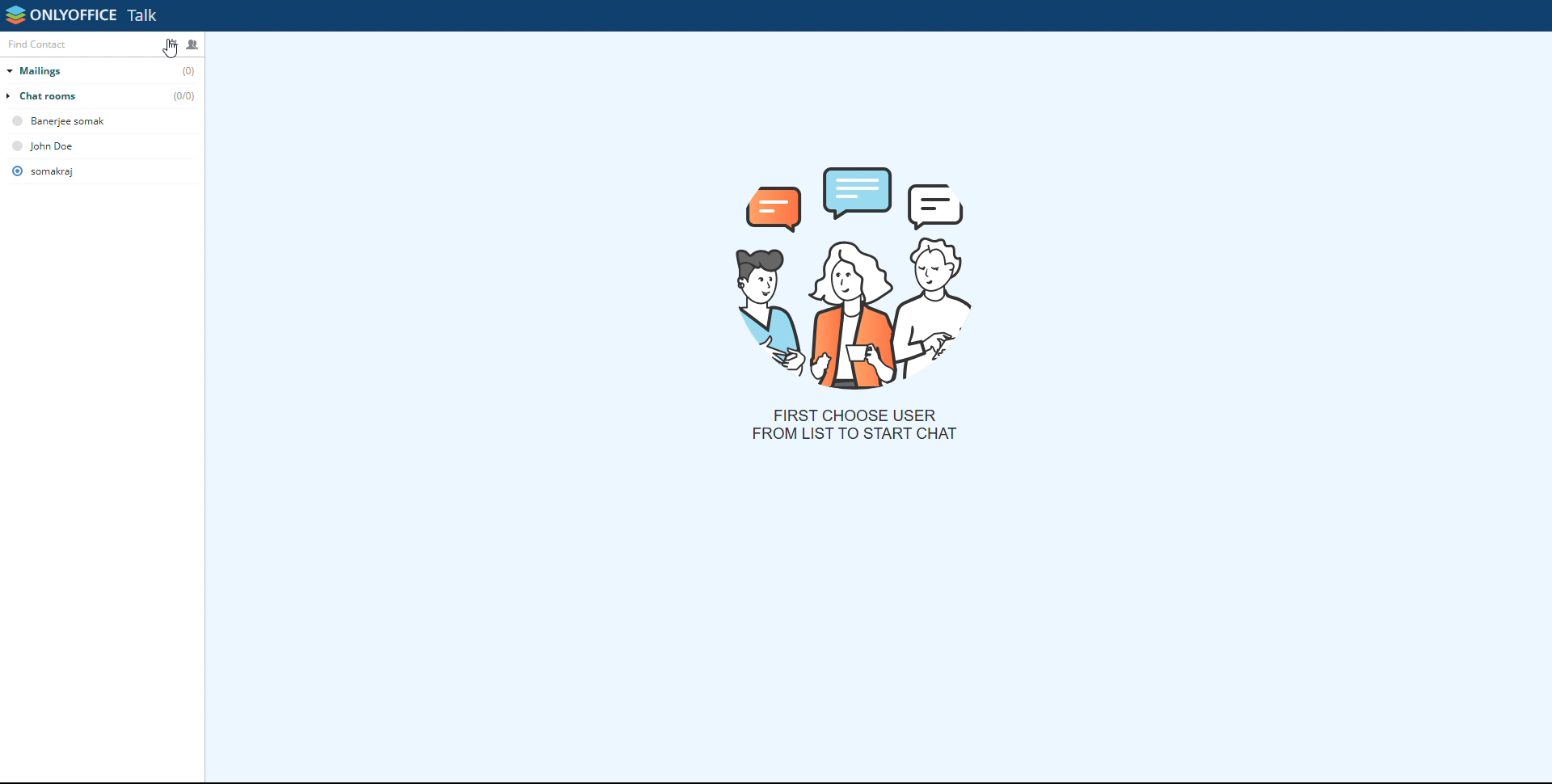 This screenshot has width=1552, height=784. Describe the element at coordinates (102, 95) in the screenshot. I see `chat rooms` at that location.